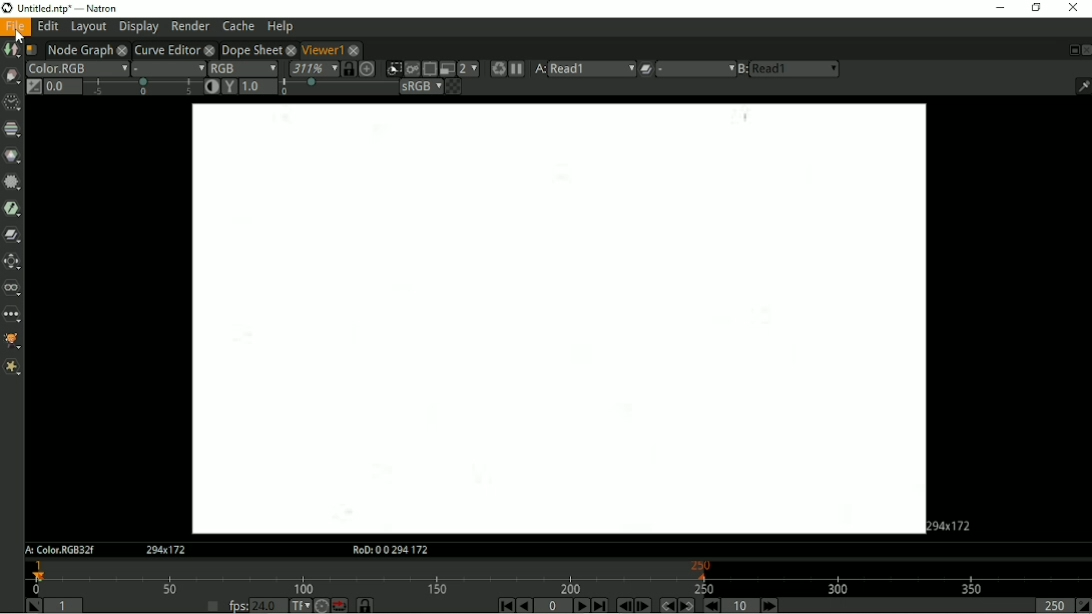 The image size is (1092, 614). What do you see at coordinates (12, 262) in the screenshot?
I see `Transform` at bounding box center [12, 262].